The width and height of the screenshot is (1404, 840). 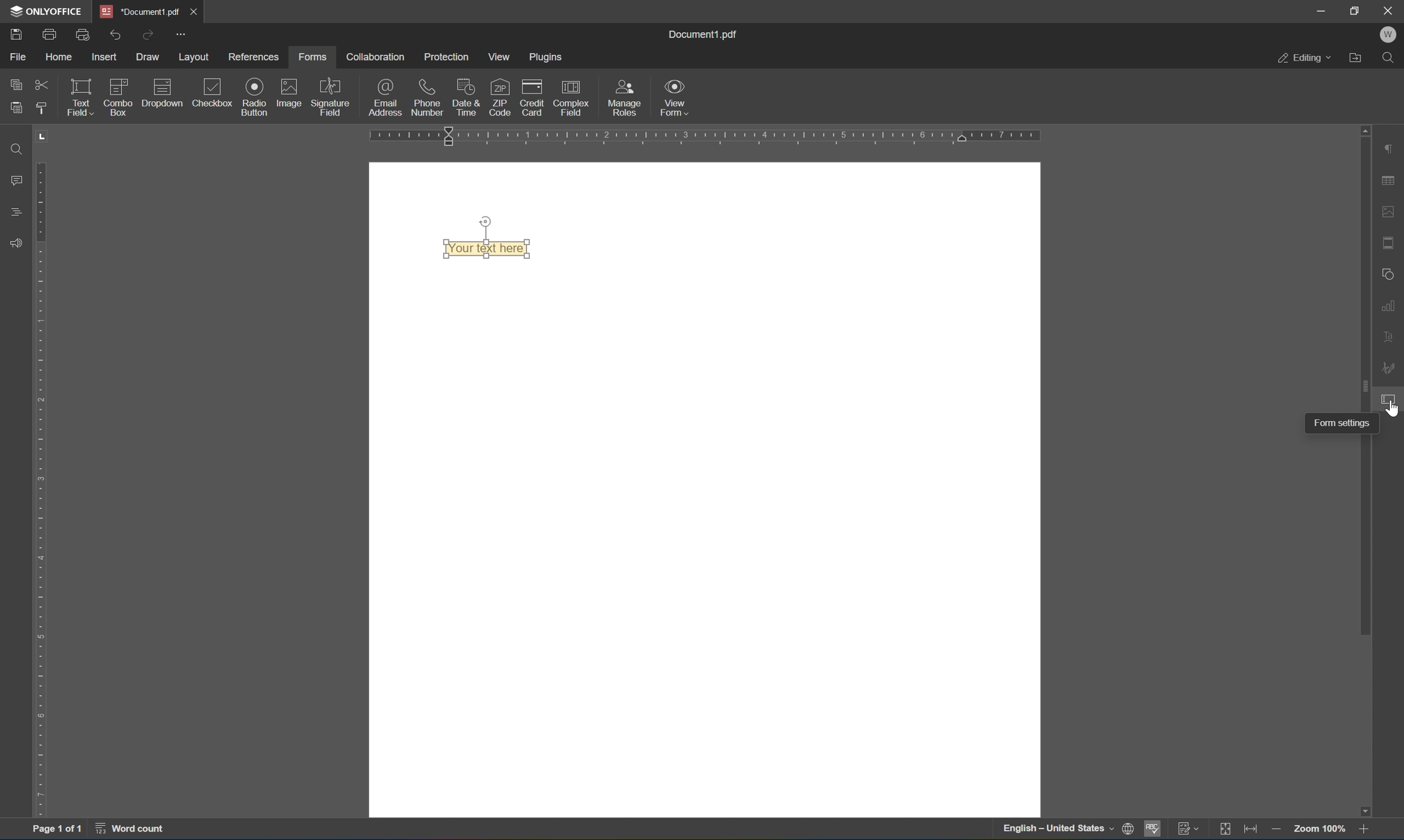 What do you see at coordinates (497, 54) in the screenshot?
I see `view` at bounding box center [497, 54].